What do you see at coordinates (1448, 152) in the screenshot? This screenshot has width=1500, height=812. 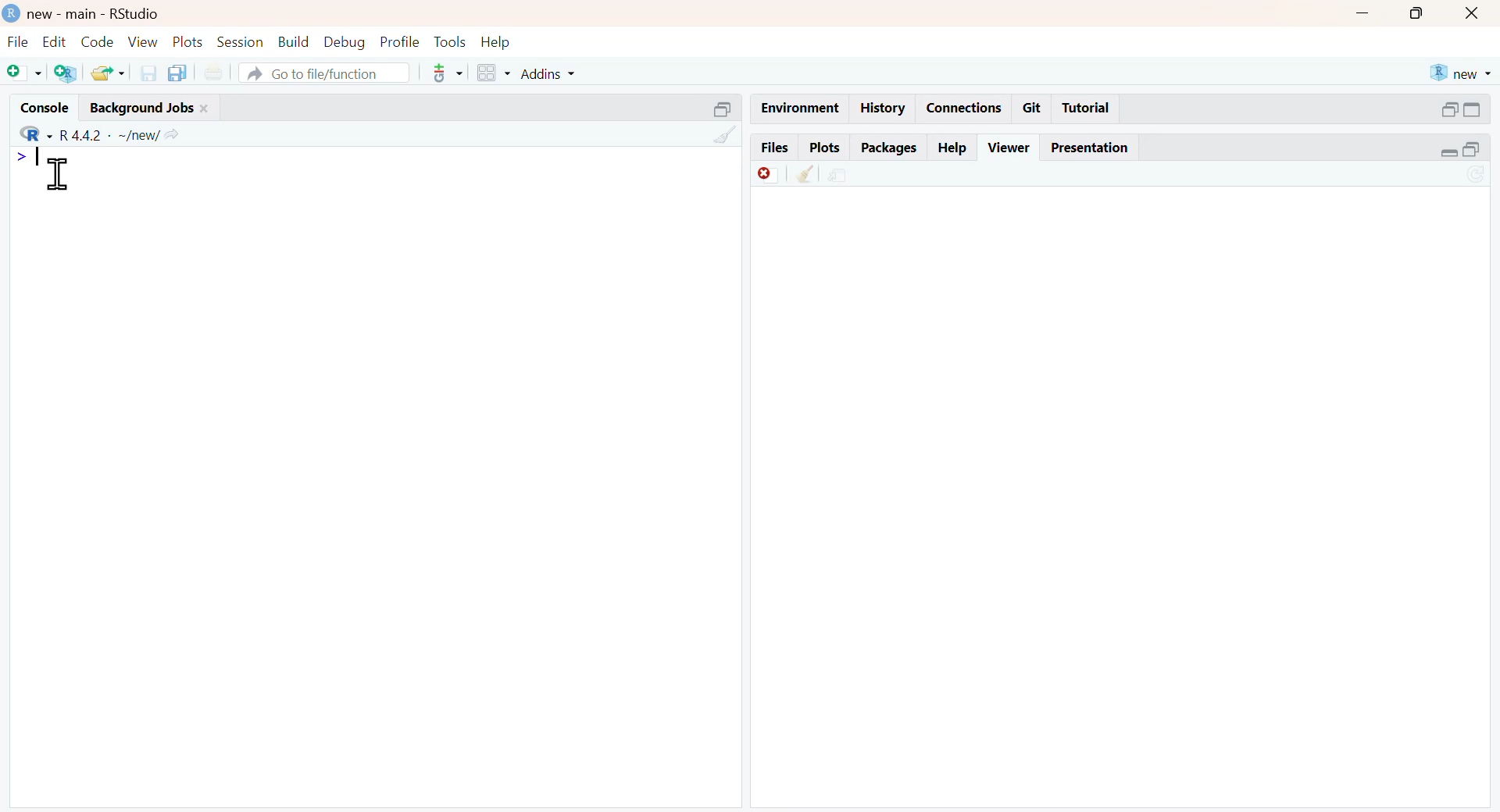 I see `expand/collapse` at bounding box center [1448, 152].